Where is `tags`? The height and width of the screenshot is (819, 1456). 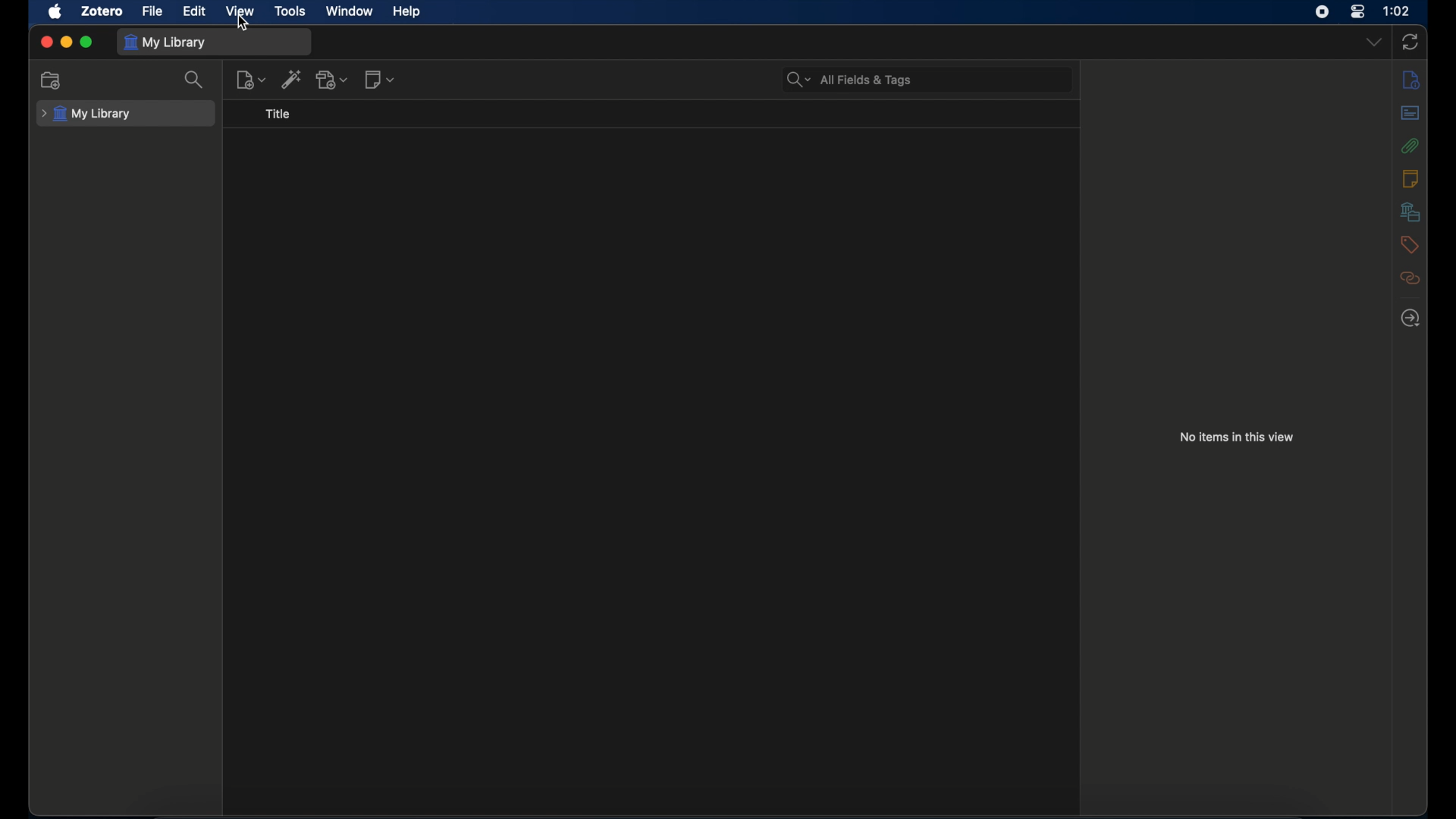 tags is located at coordinates (1407, 244).